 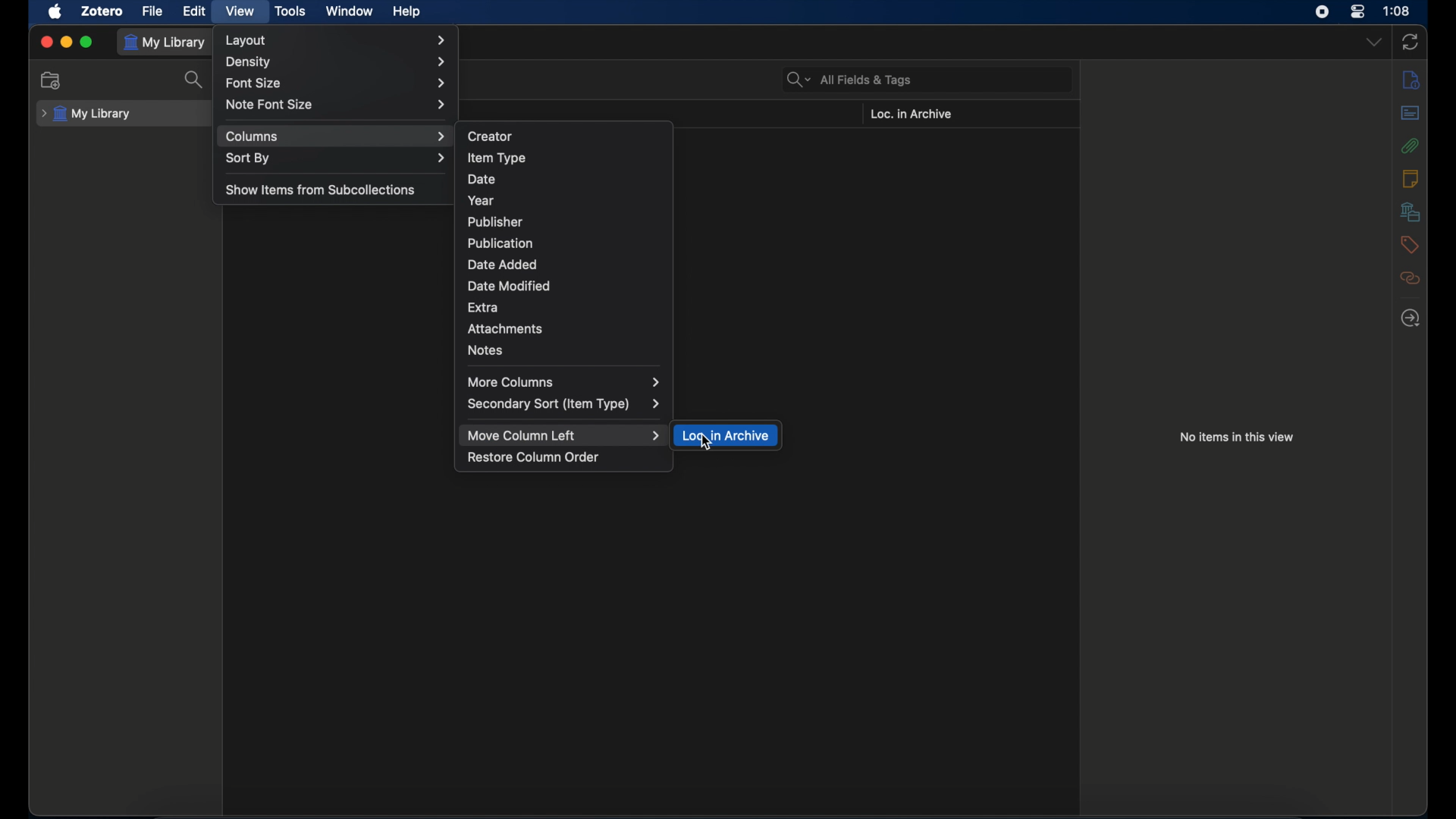 What do you see at coordinates (1323, 12) in the screenshot?
I see `screen recorder` at bounding box center [1323, 12].